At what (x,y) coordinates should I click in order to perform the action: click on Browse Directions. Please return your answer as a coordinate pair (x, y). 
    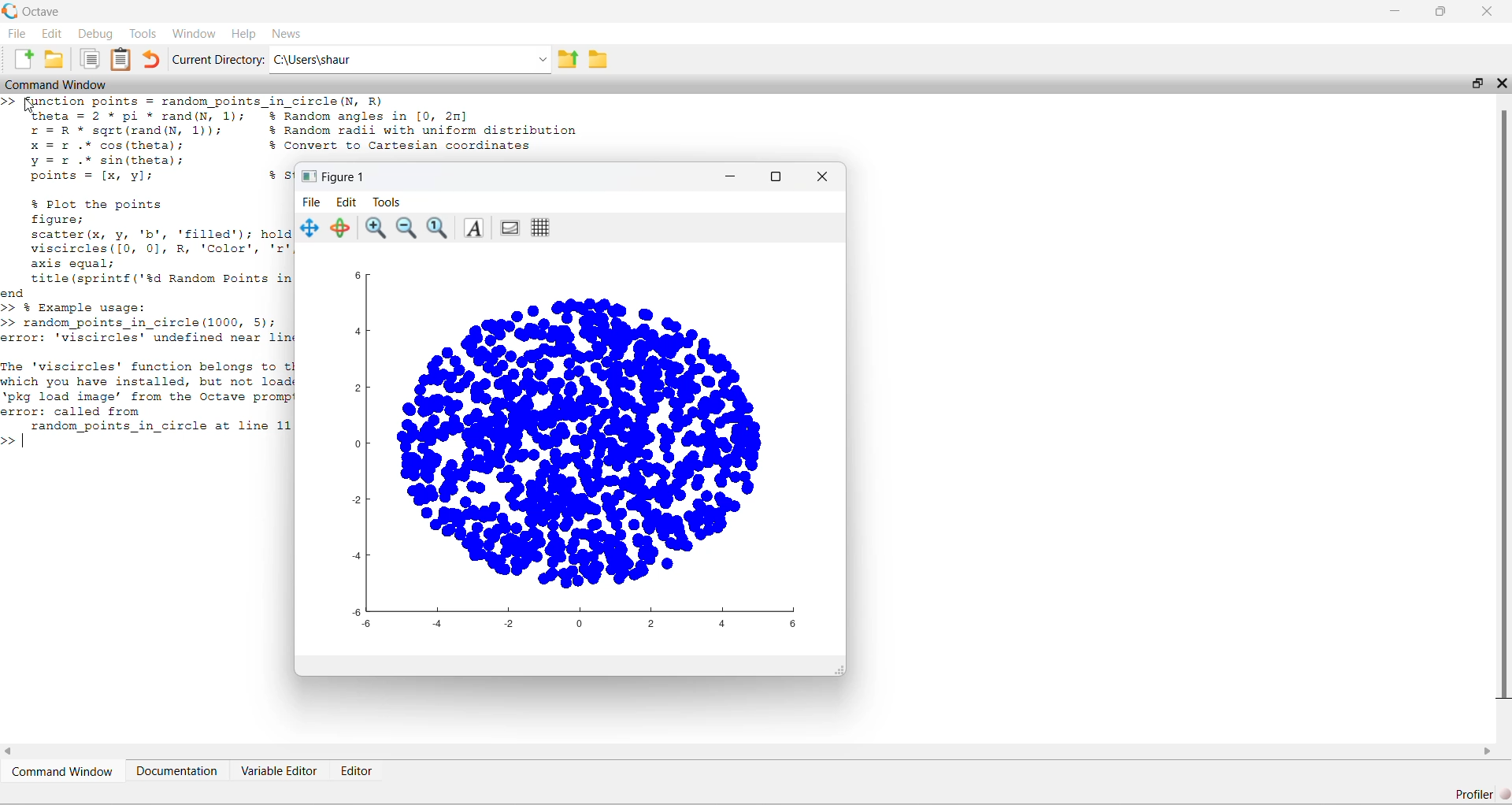
    Looking at the image, I should click on (598, 59).